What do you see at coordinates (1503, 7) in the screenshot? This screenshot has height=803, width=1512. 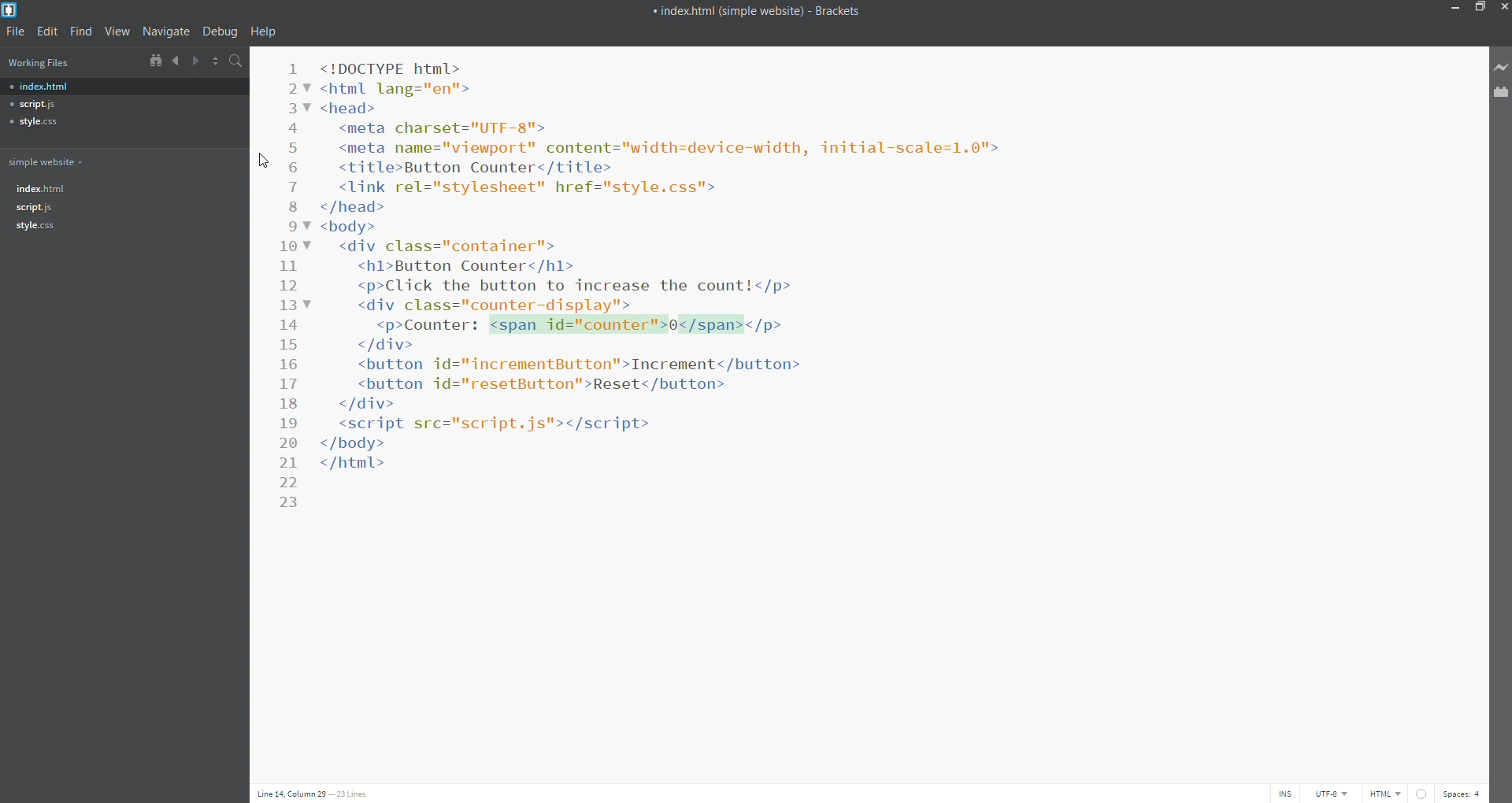 I see `close` at bounding box center [1503, 7].